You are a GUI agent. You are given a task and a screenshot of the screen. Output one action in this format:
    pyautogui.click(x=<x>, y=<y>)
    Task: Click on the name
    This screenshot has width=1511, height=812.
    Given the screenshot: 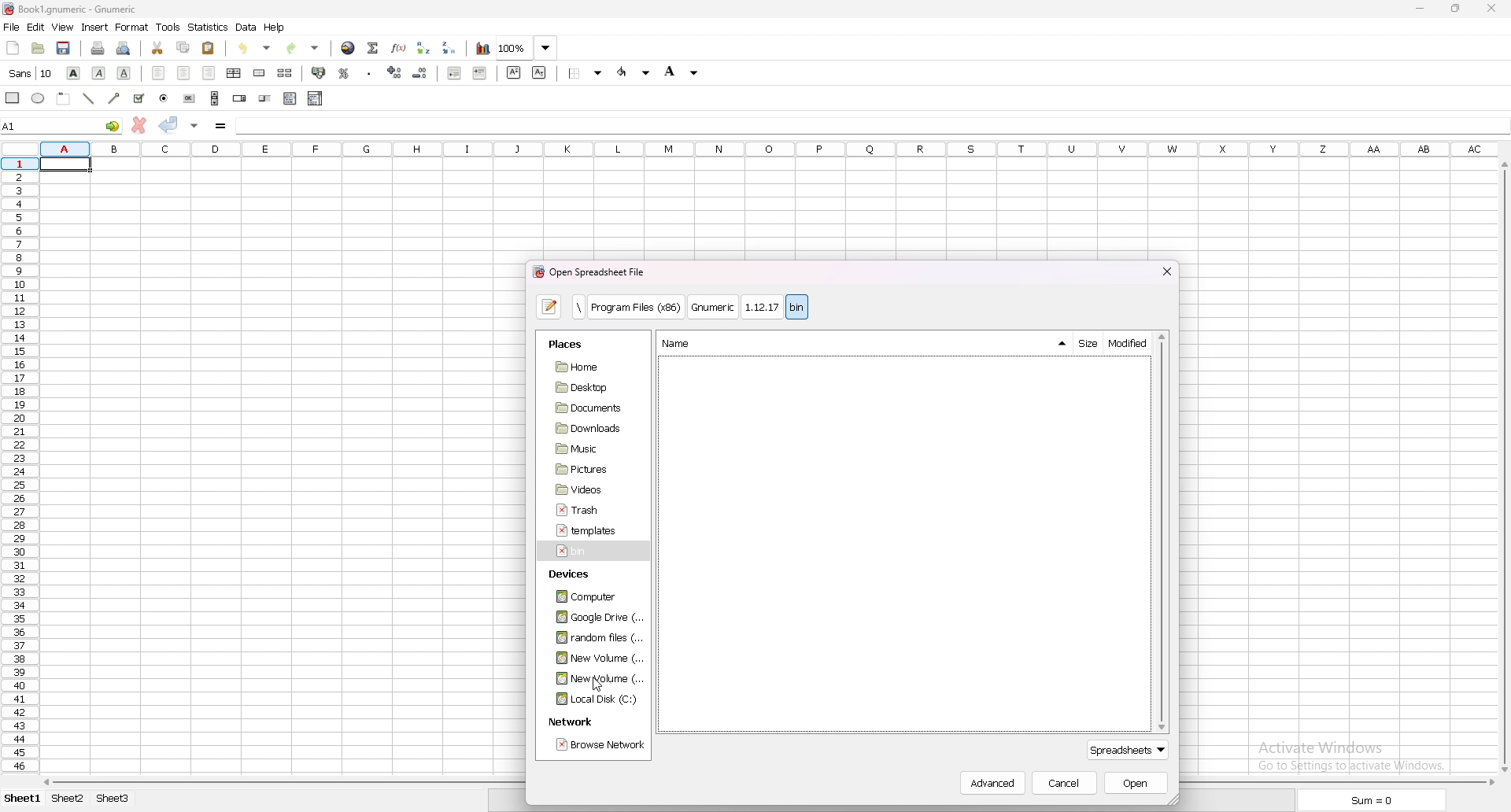 What is the action you would take?
    pyautogui.click(x=677, y=343)
    